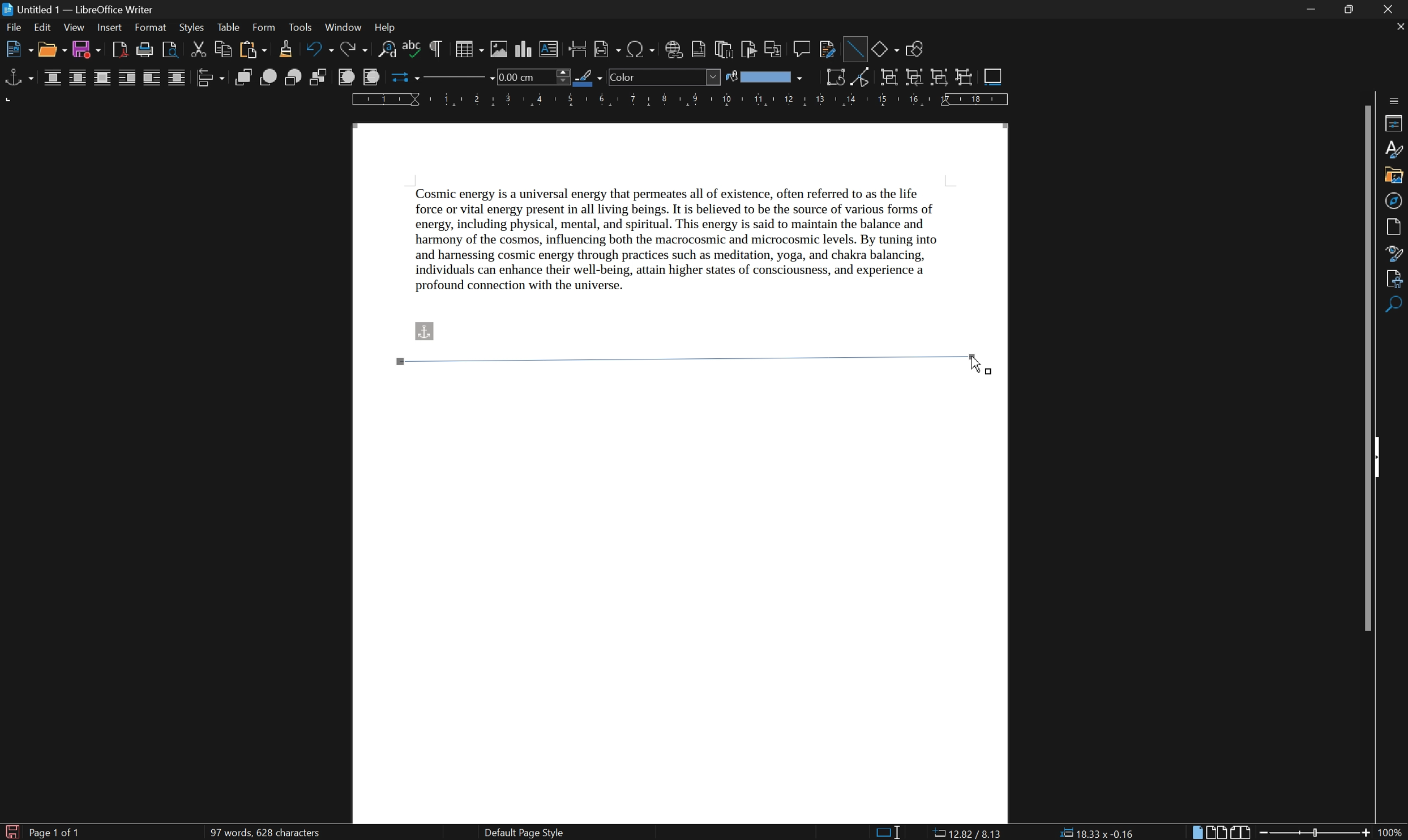 This screenshot has height=840, width=1408. What do you see at coordinates (79, 79) in the screenshot?
I see `parallel` at bounding box center [79, 79].